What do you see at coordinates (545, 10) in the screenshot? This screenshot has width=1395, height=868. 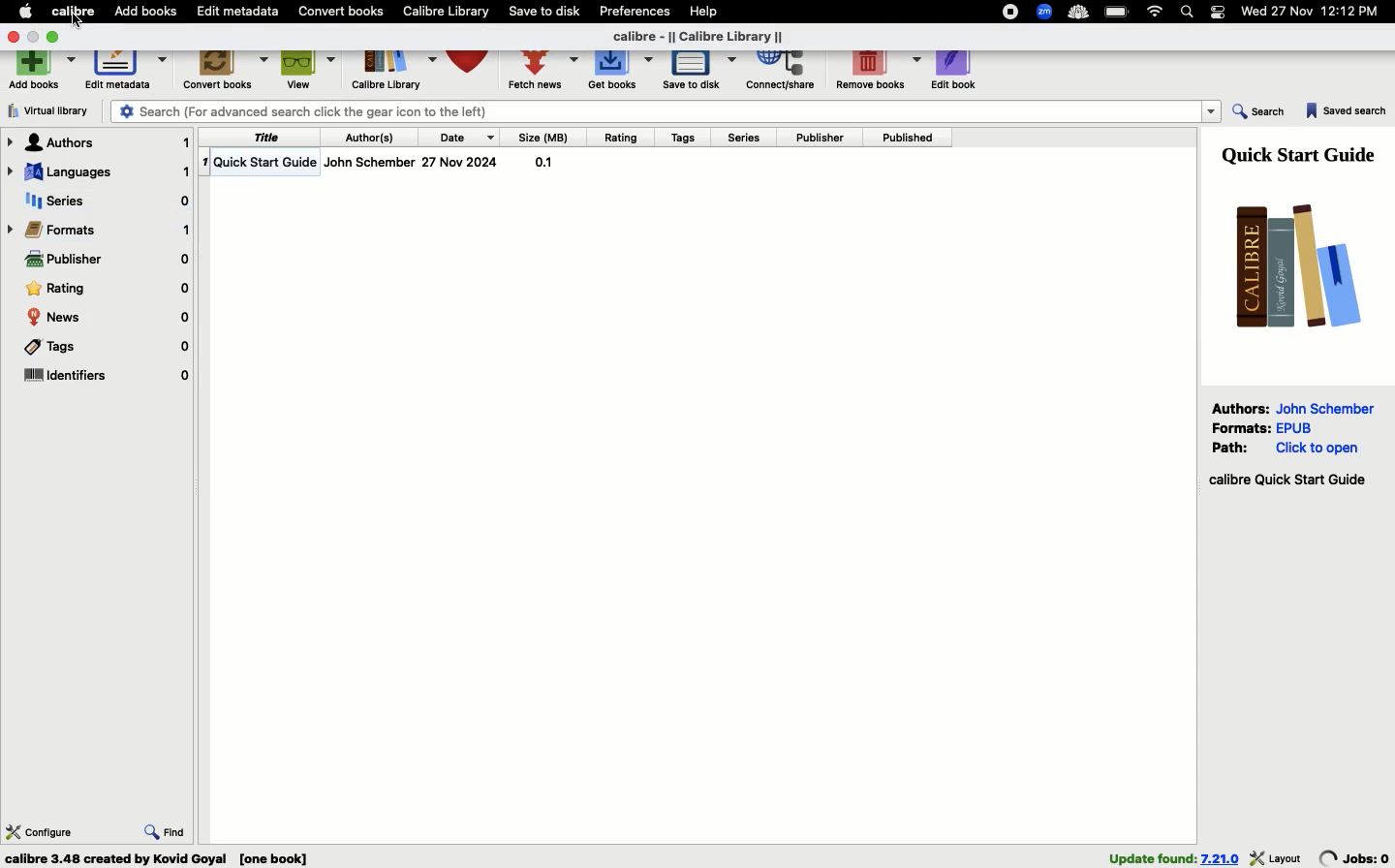 I see `Save to disk` at bounding box center [545, 10].